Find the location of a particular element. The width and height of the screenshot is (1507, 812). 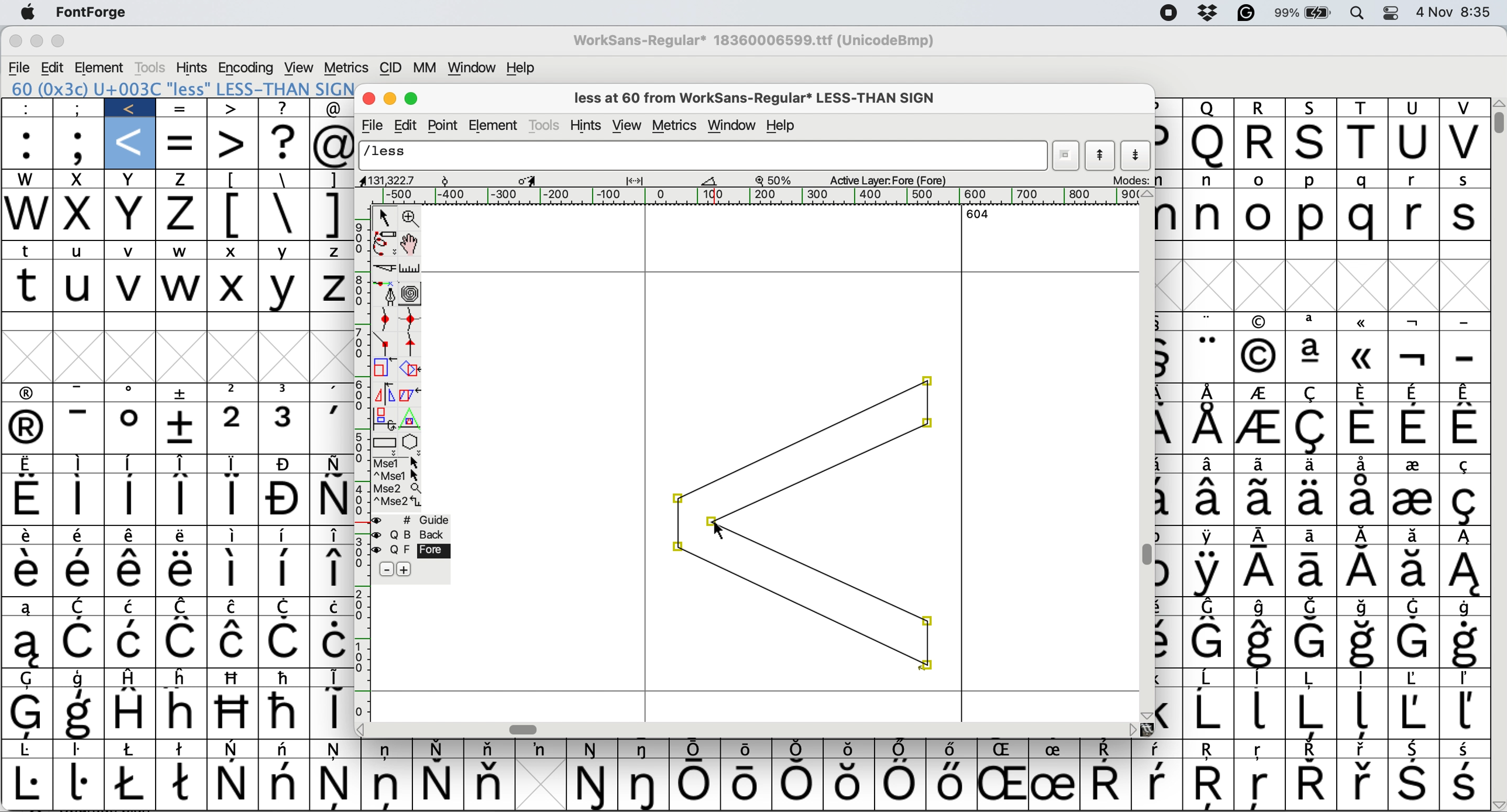

Symbol is located at coordinates (1169, 429).